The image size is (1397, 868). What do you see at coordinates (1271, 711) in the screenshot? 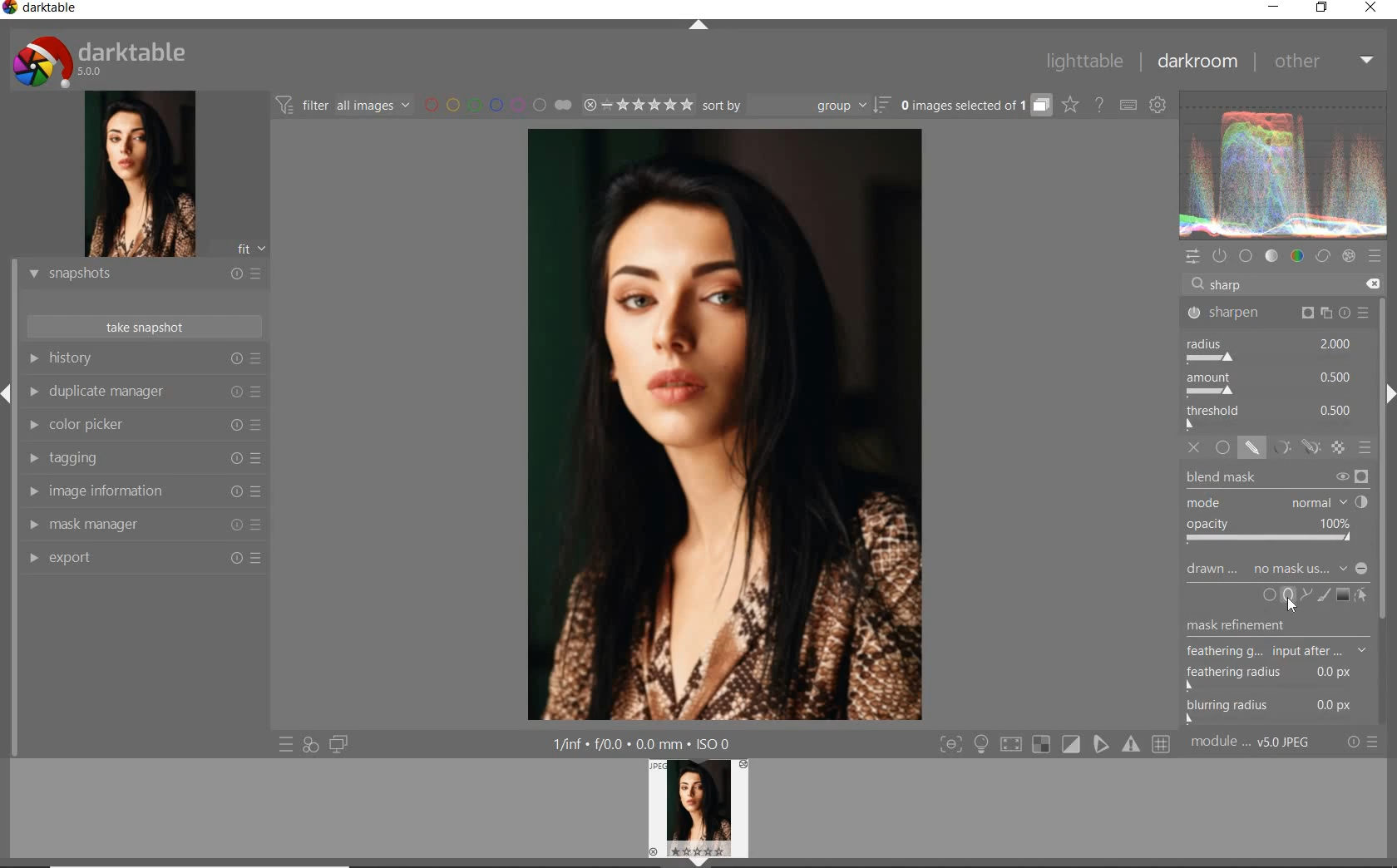
I see `blurring radius` at bounding box center [1271, 711].